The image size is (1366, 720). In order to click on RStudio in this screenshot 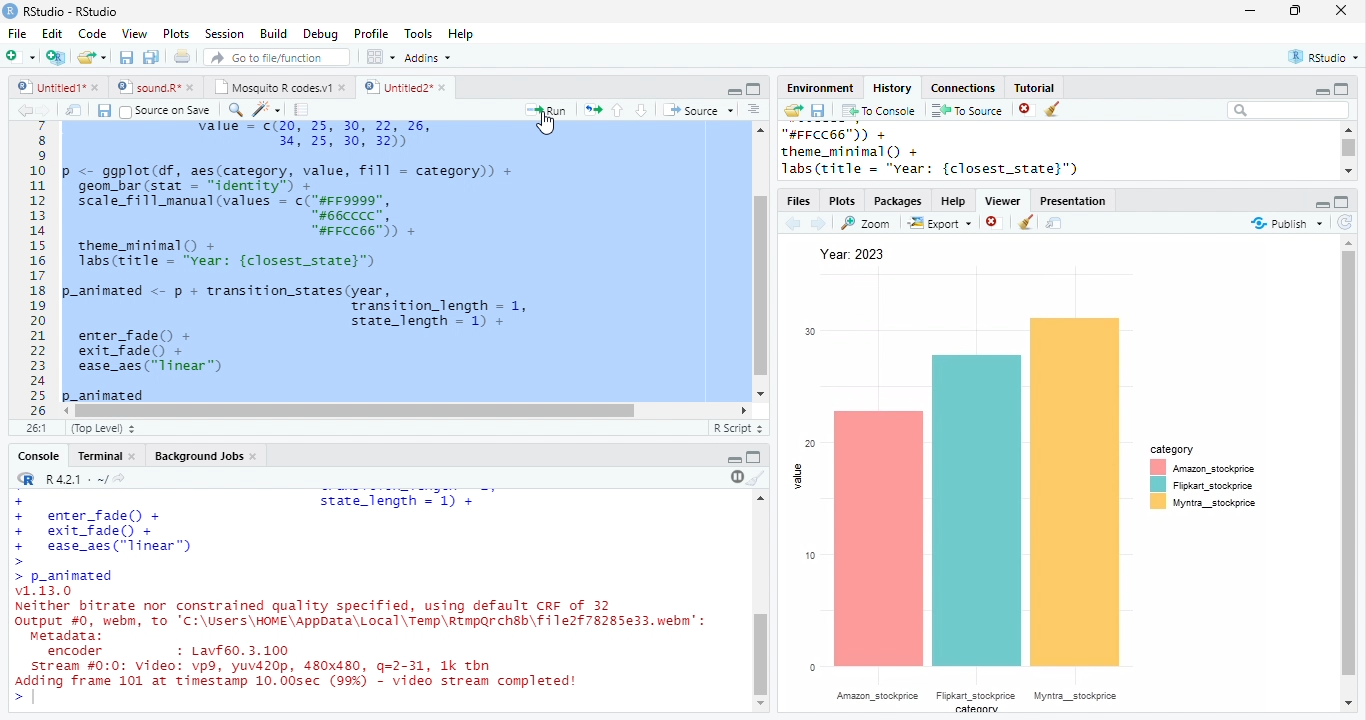, I will do `click(1324, 56)`.